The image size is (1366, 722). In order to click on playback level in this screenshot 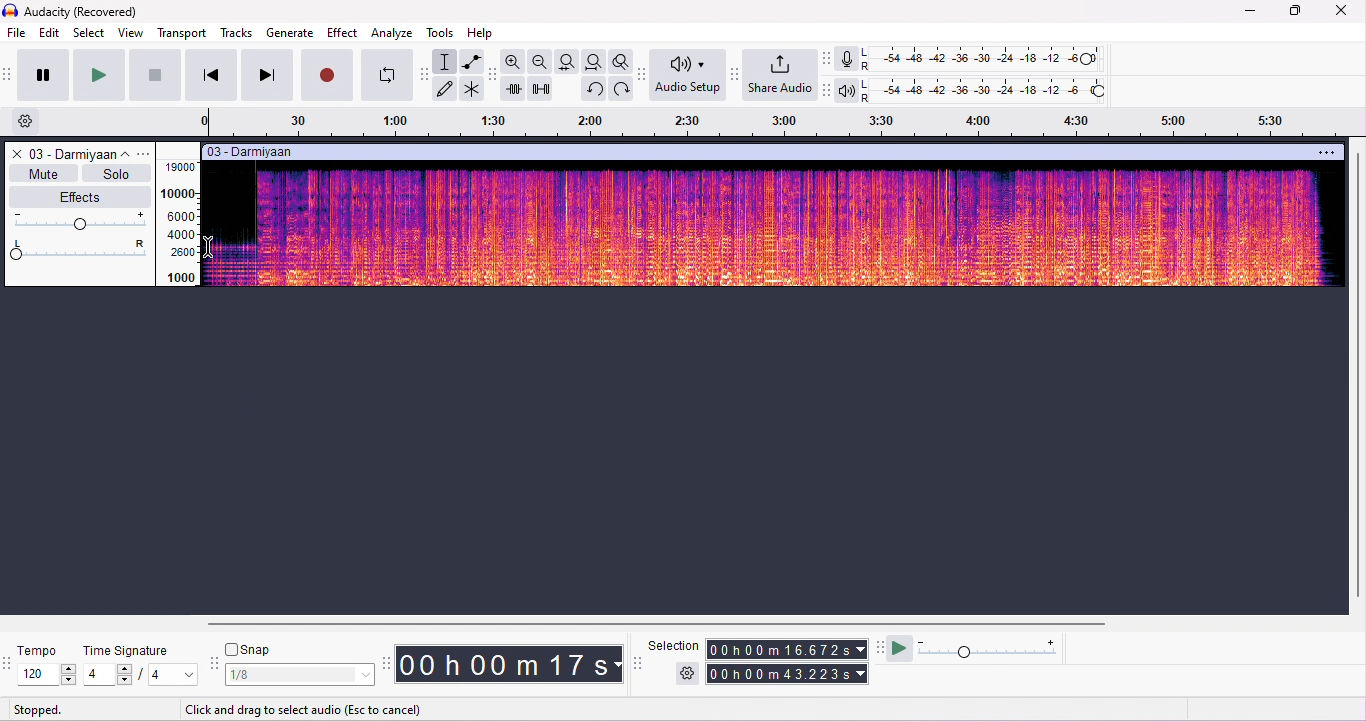, I will do `click(988, 90)`.